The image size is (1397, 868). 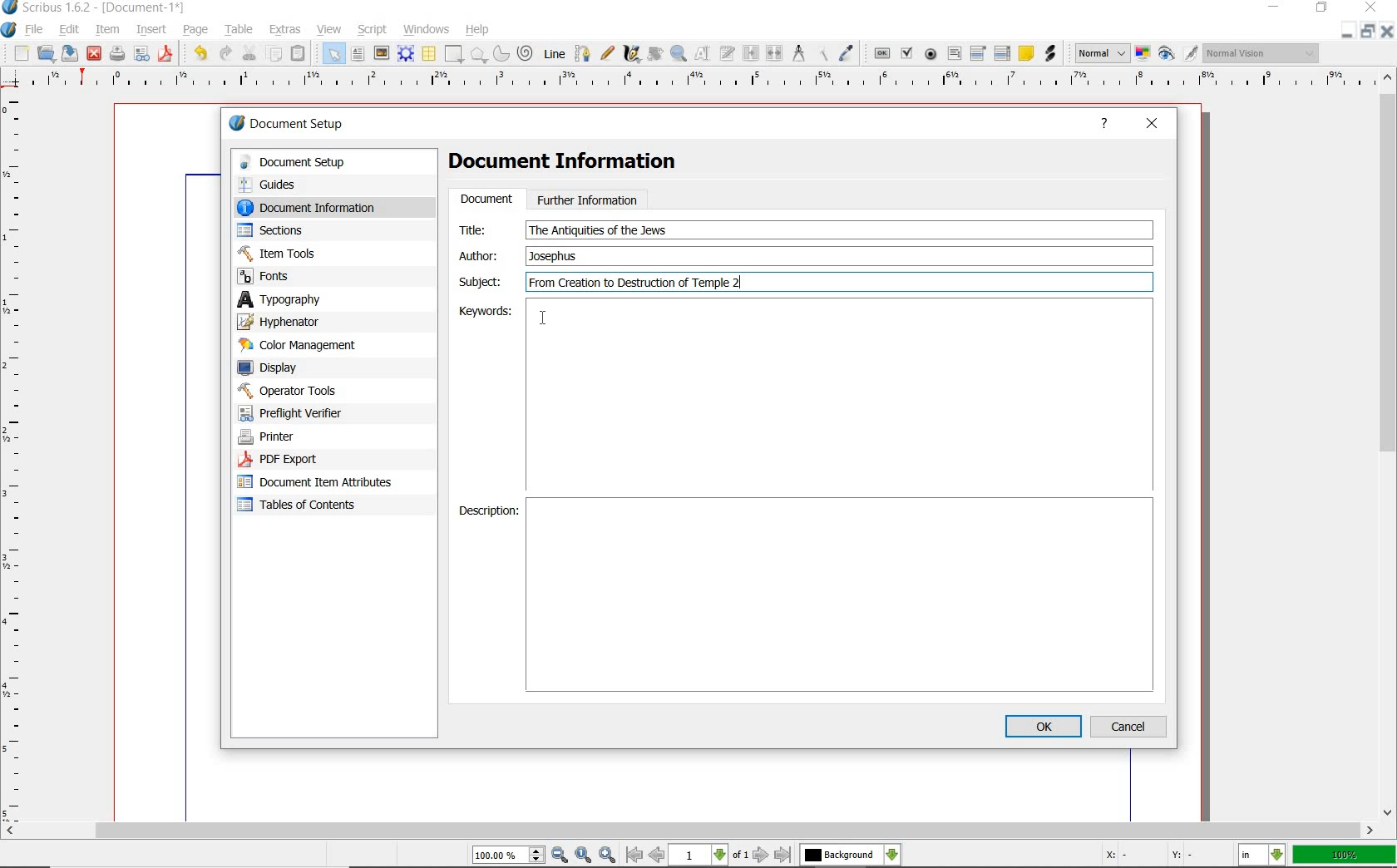 What do you see at coordinates (501, 53) in the screenshot?
I see `arc` at bounding box center [501, 53].